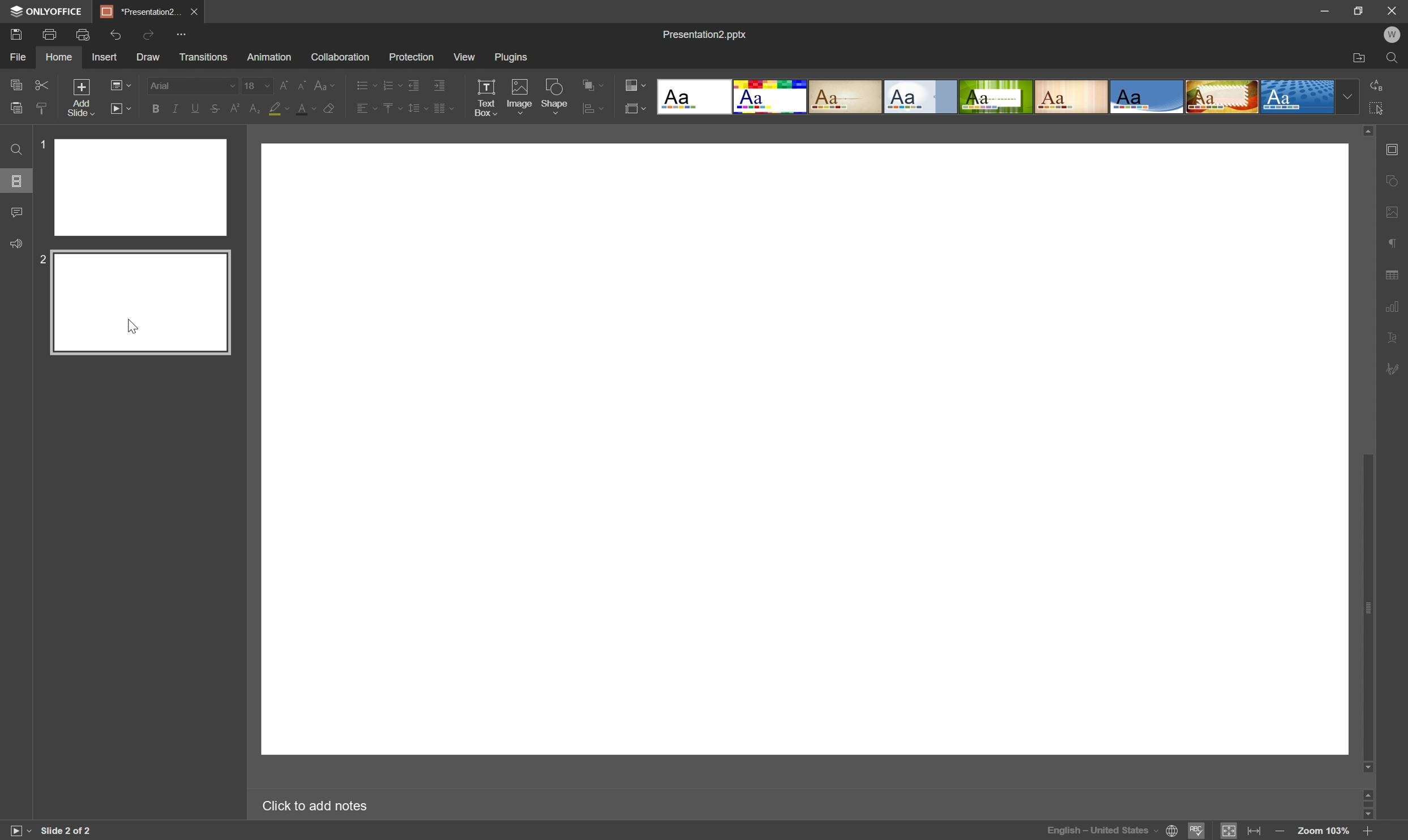  Describe the element at coordinates (1395, 207) in the screenshot. I see `Image settings` at that location.